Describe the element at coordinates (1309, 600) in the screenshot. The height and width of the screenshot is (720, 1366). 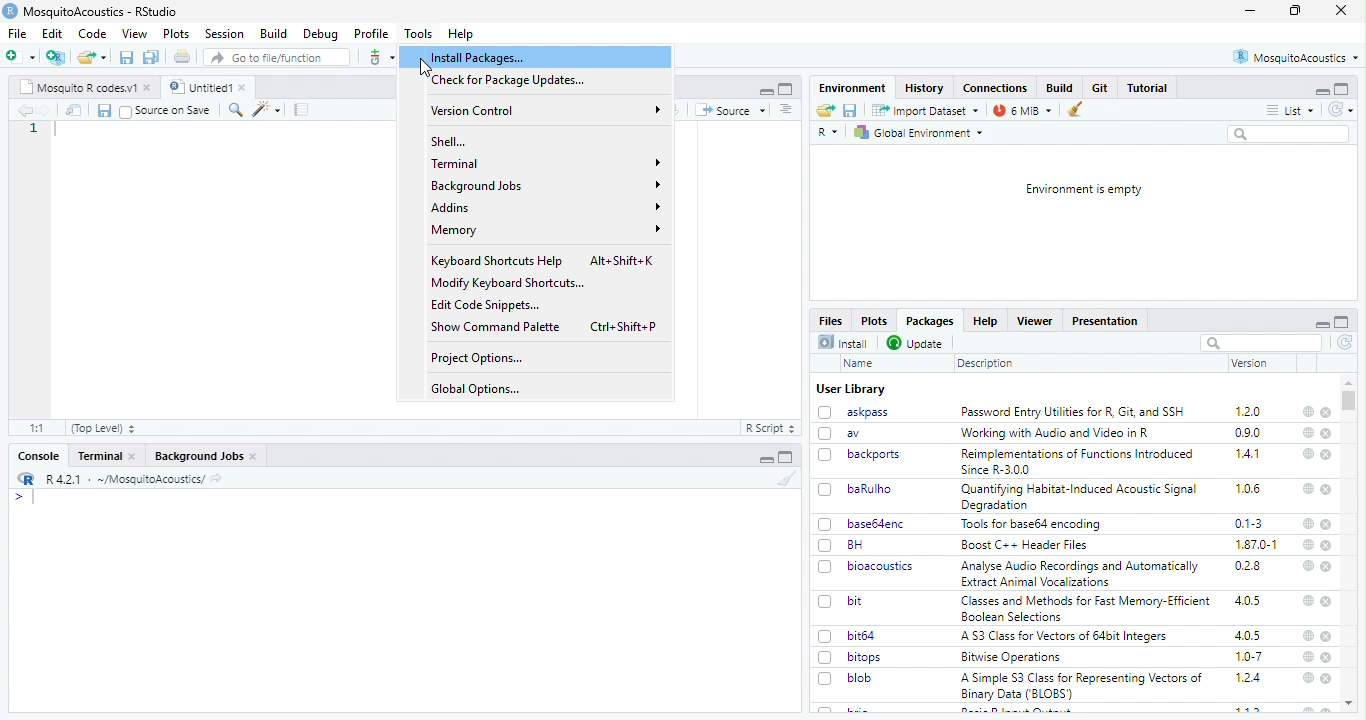
I see `web` at that location.